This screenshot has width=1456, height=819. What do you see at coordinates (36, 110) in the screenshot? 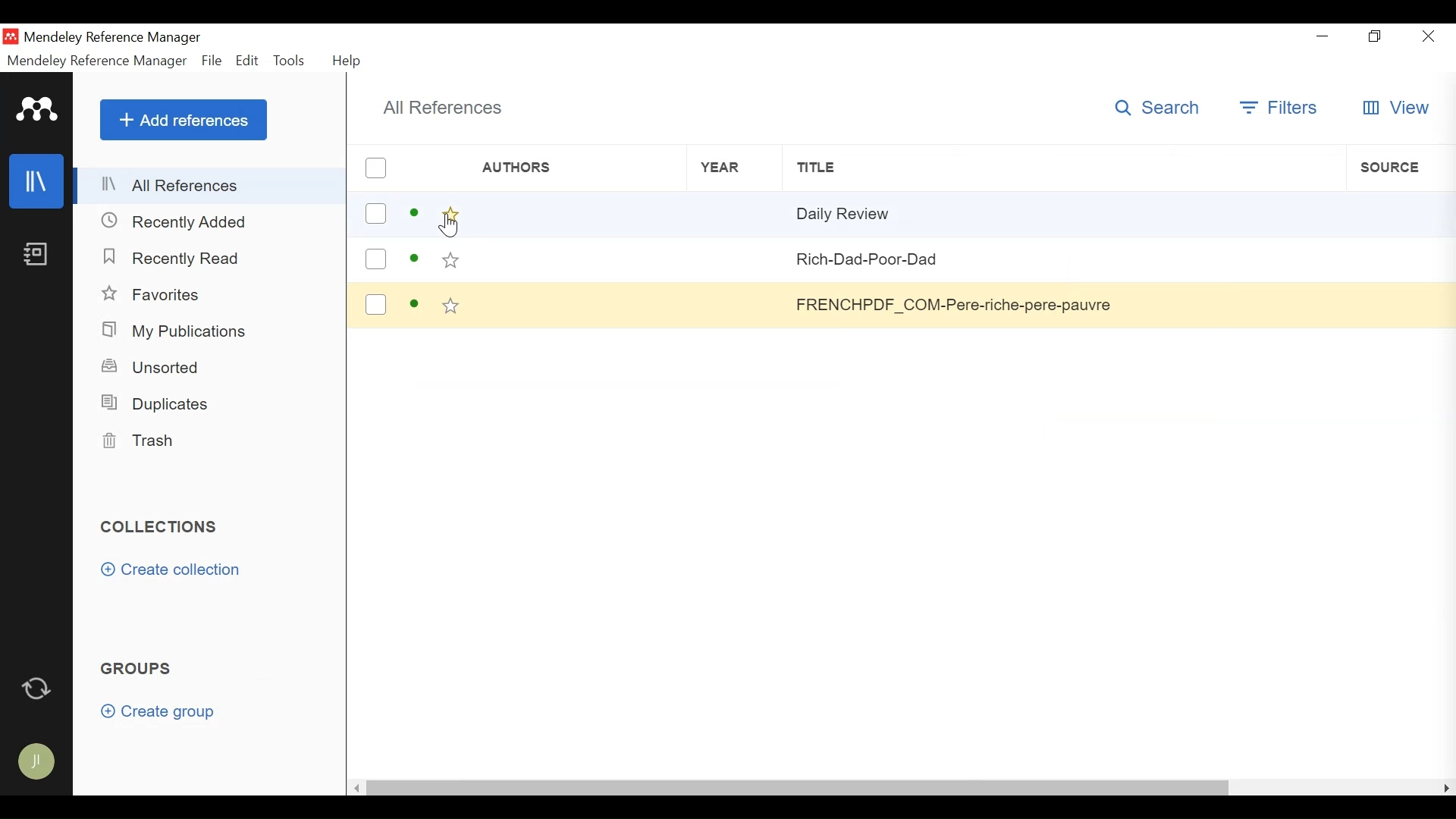
I see `Mendeley` at bounding box center [36, 110].